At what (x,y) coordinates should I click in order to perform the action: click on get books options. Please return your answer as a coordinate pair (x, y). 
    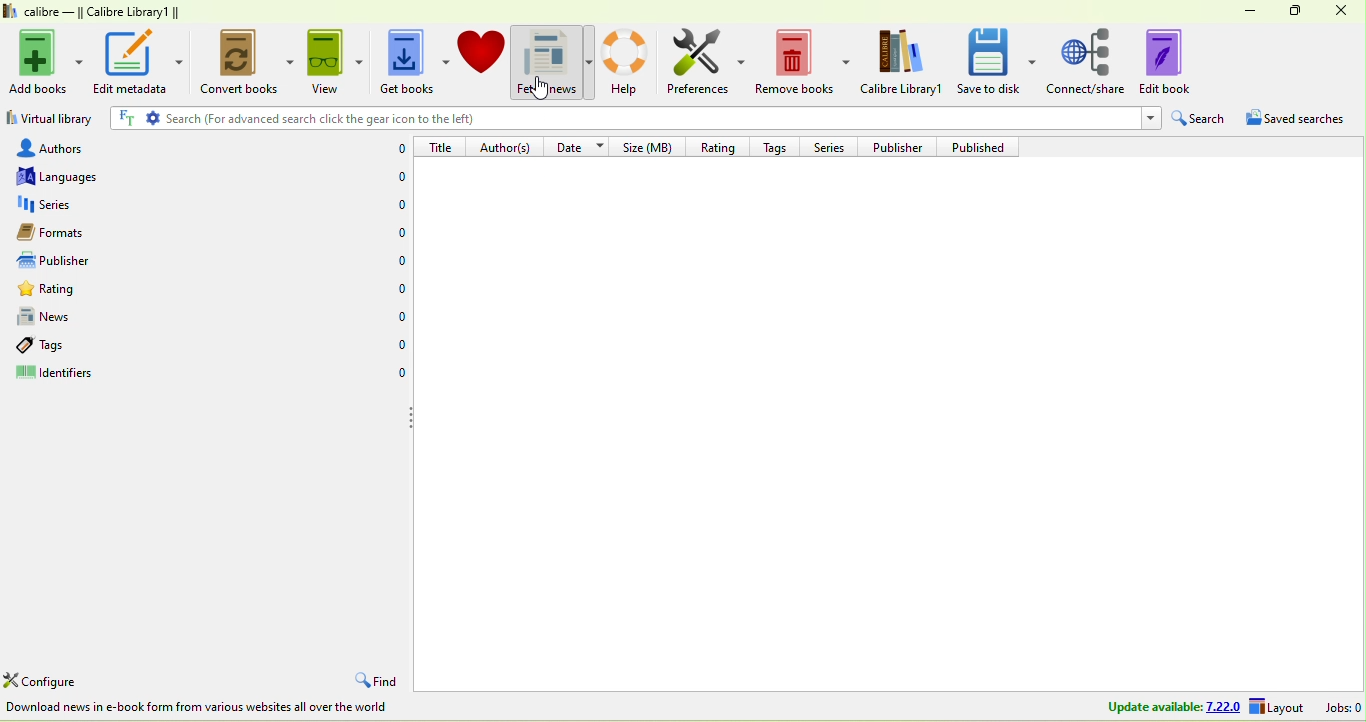
    Looking at the image, I should click on (448, 60).